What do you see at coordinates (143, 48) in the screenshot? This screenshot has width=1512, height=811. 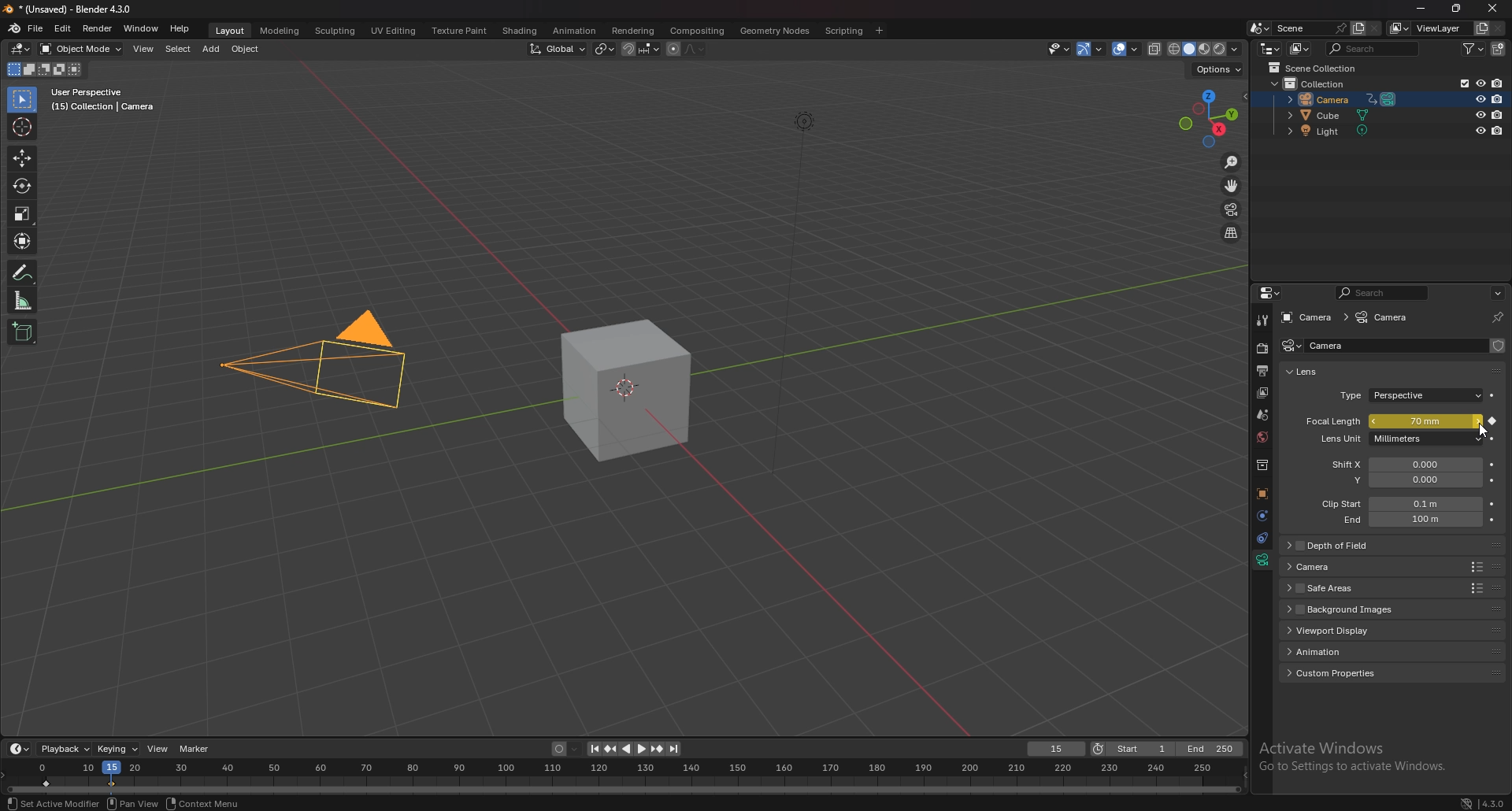 I see `view` at bounding box center [143, 48].